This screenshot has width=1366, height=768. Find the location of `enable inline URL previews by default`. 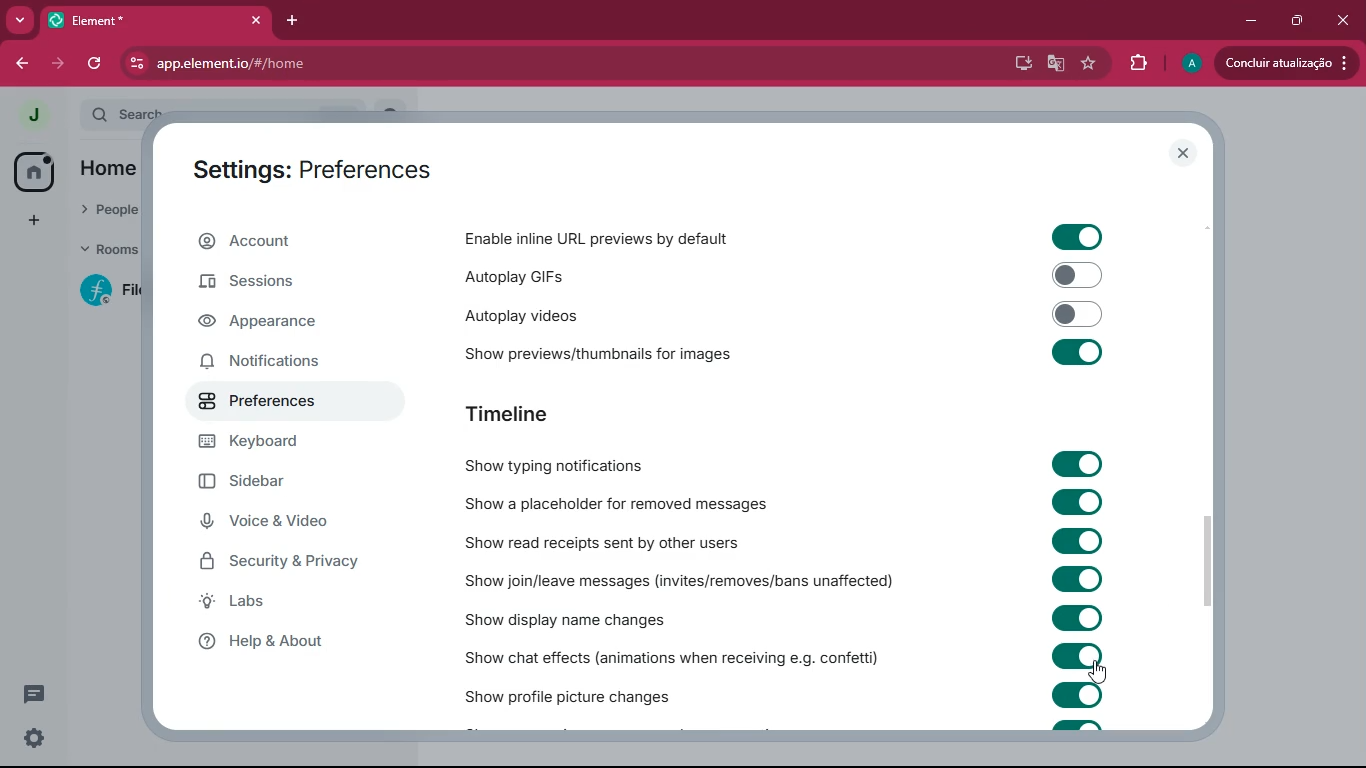

enable inline URL previews by default is located at coordinates (601, 238).